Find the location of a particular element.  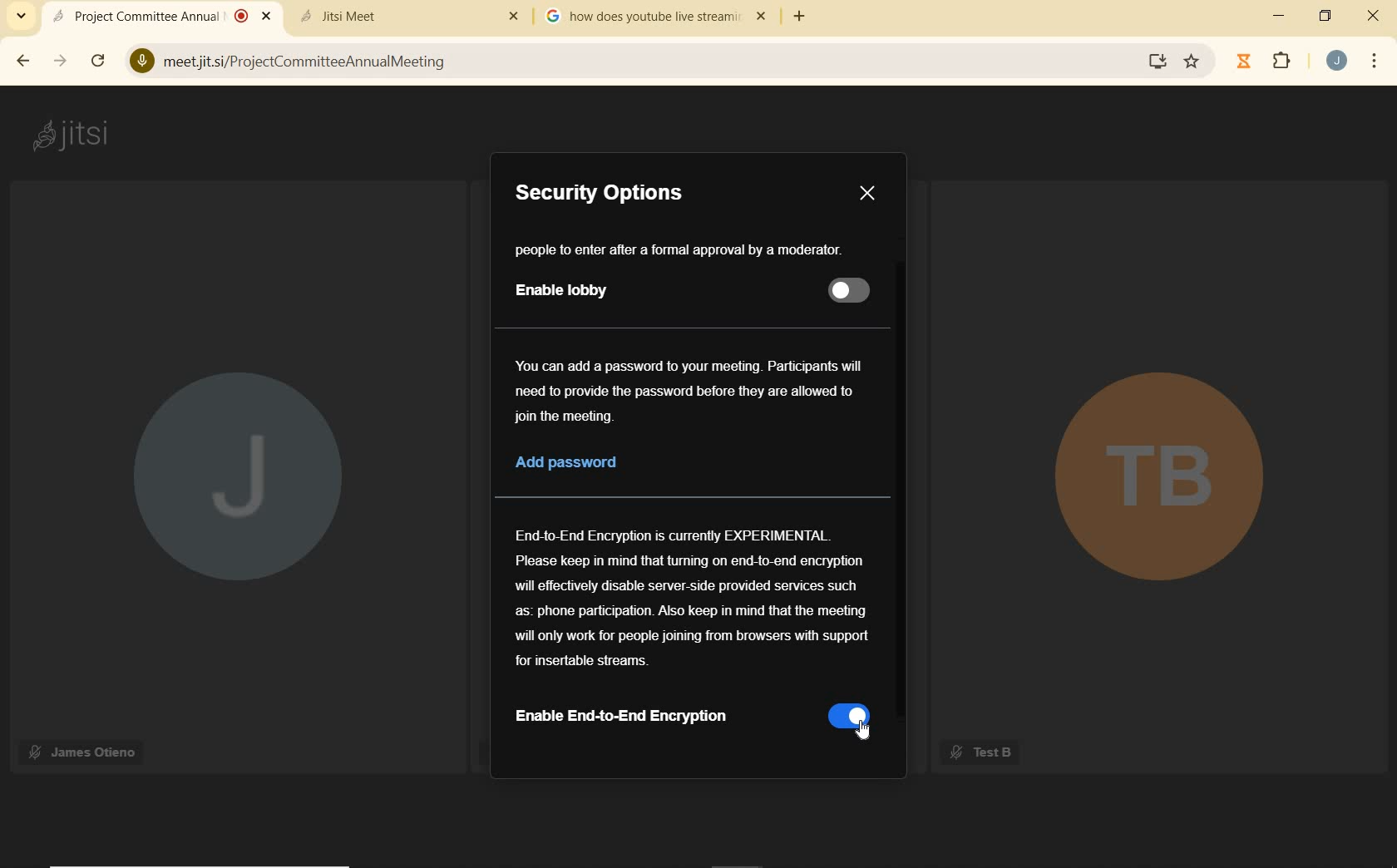

Jibble is located at coordinates (1244, 63).